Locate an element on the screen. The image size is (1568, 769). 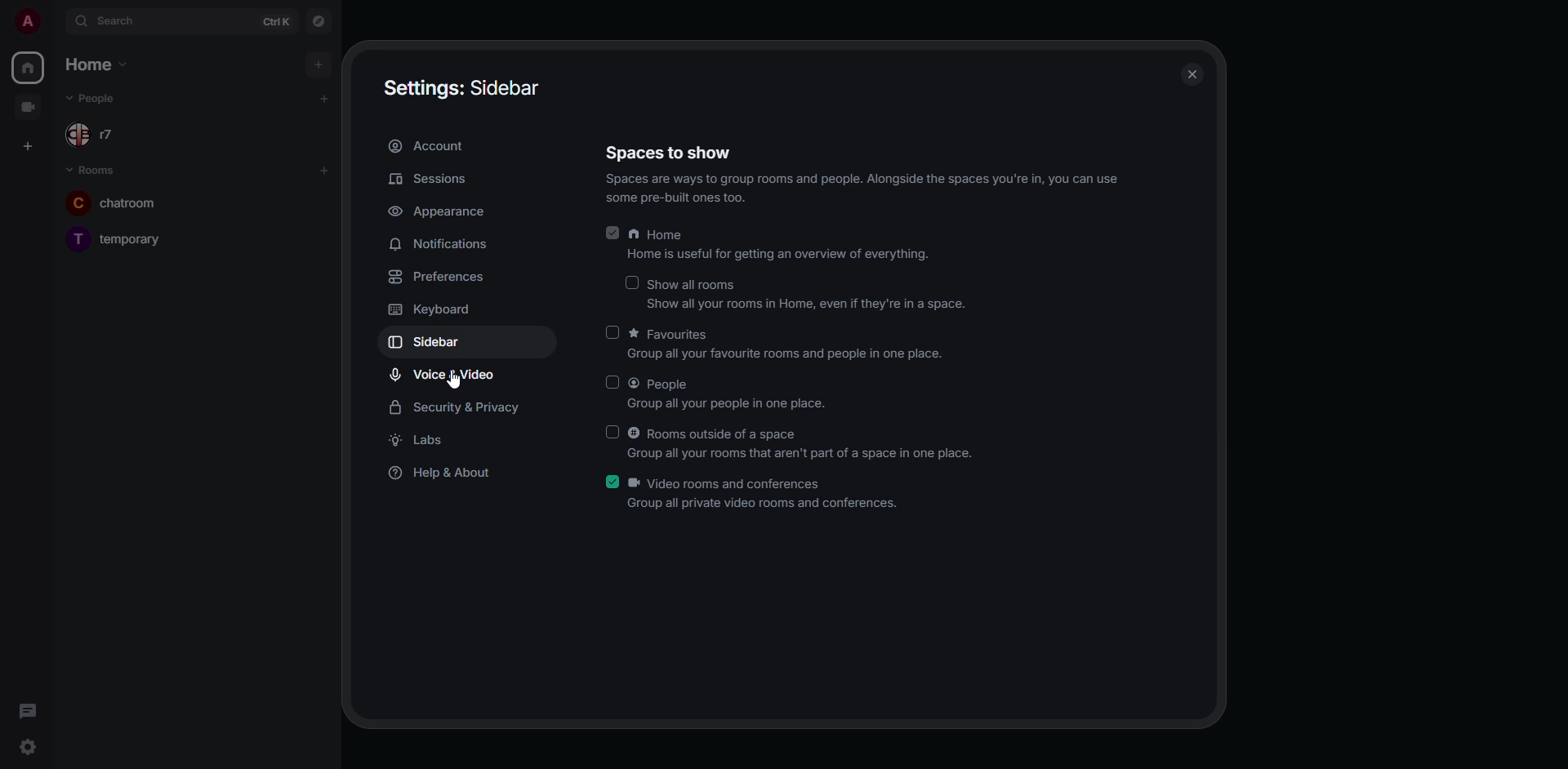
home is located at coordinates (98, 64).